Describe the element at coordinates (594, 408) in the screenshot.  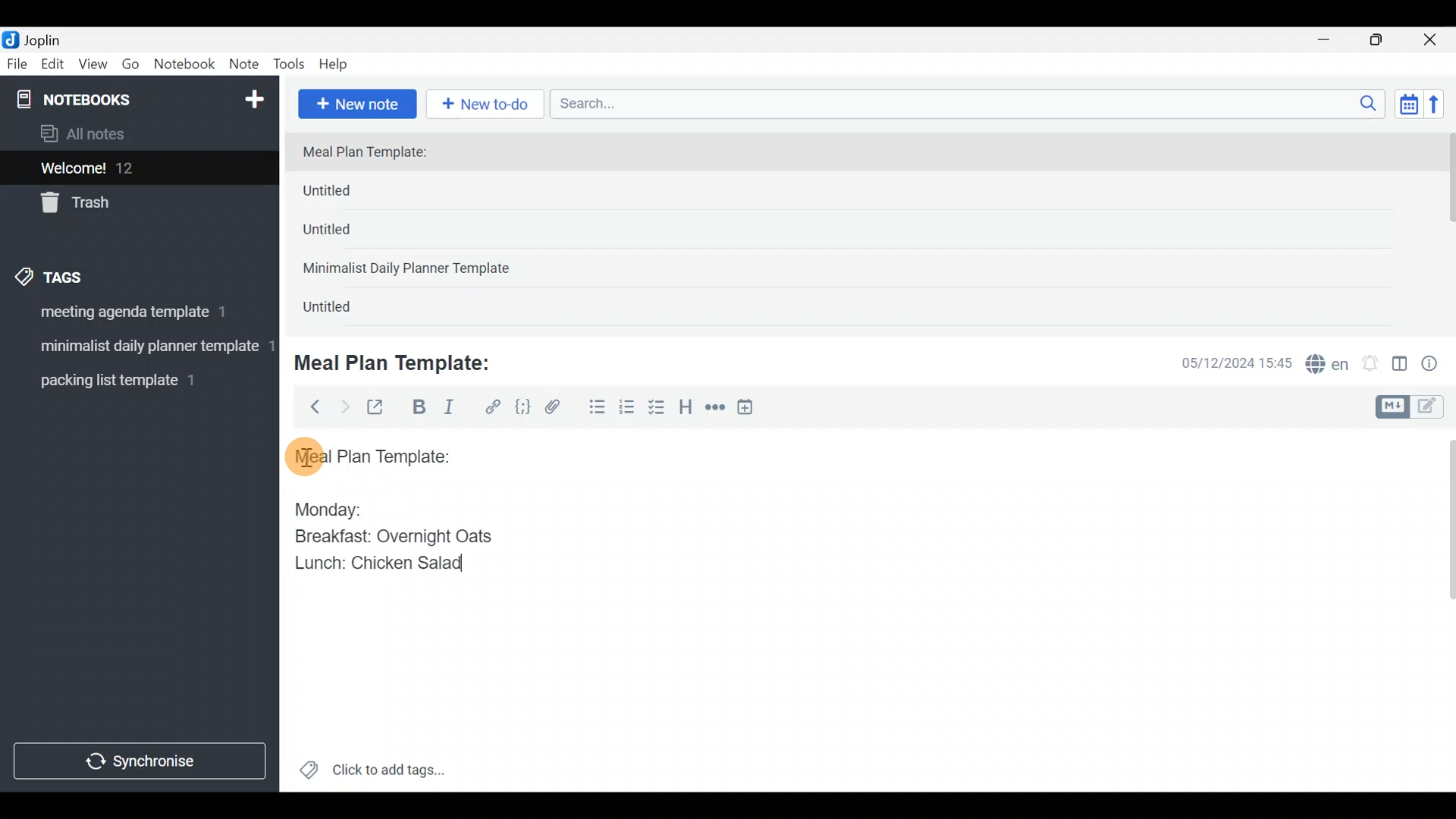
I see `Bulleted list` at that location.